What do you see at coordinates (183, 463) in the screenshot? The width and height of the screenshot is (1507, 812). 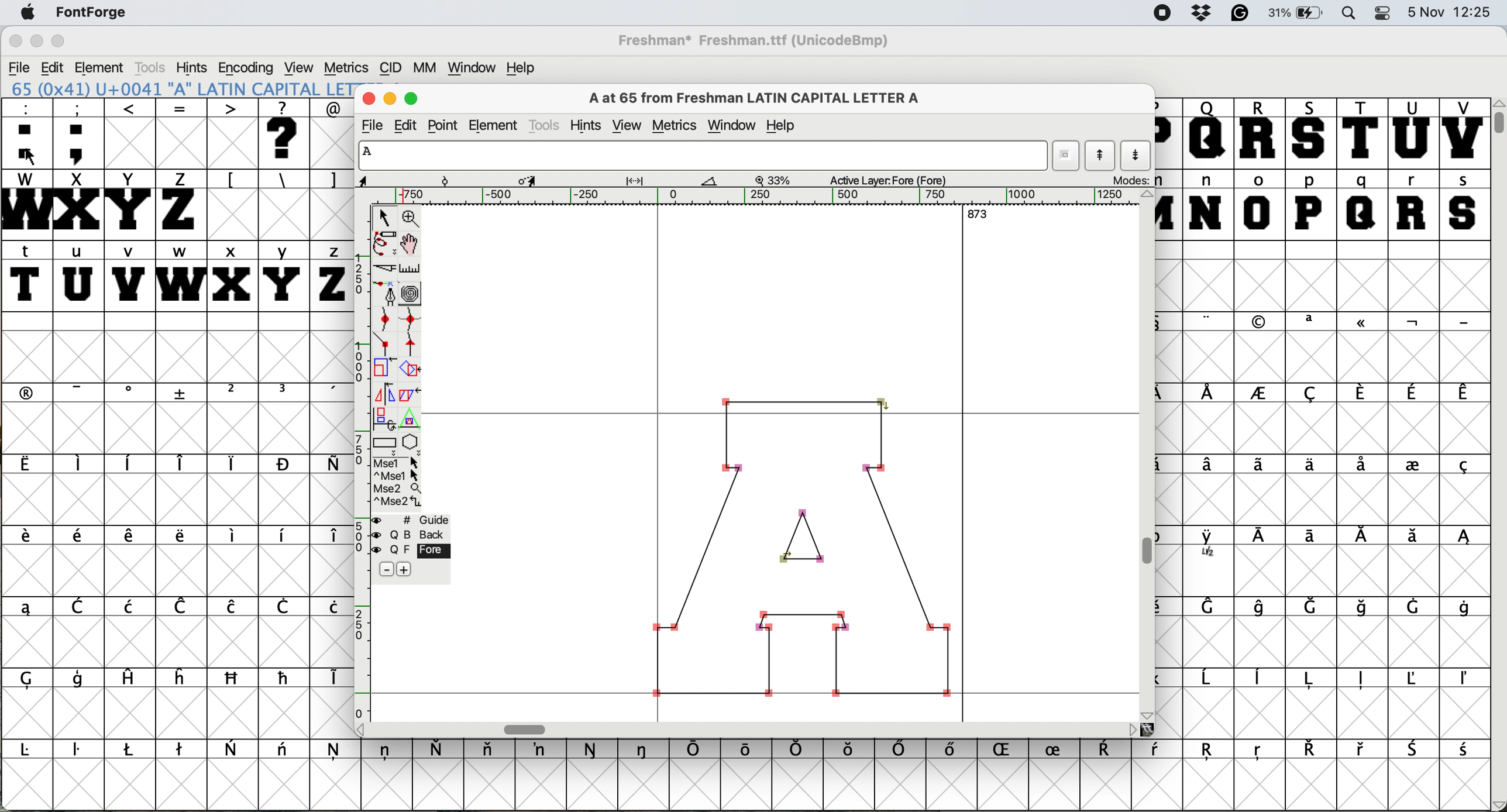 I see `symbol` at bounding box center [183, 463].